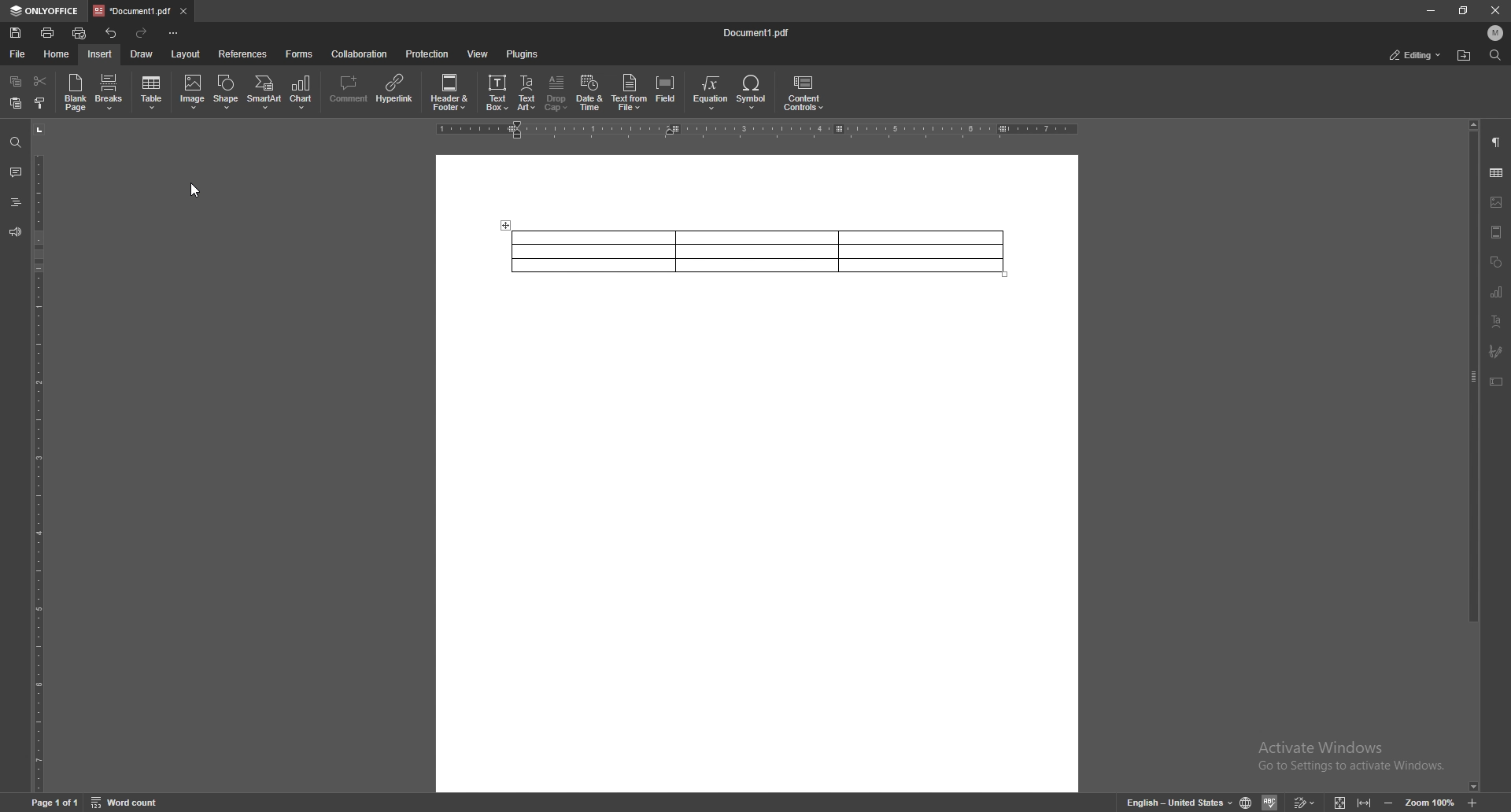 This screenshot has width=1511, height=812. What do you see at coordinates (142, 35) in the screenshot?
I see `redo` at bounding box center [142, 35].